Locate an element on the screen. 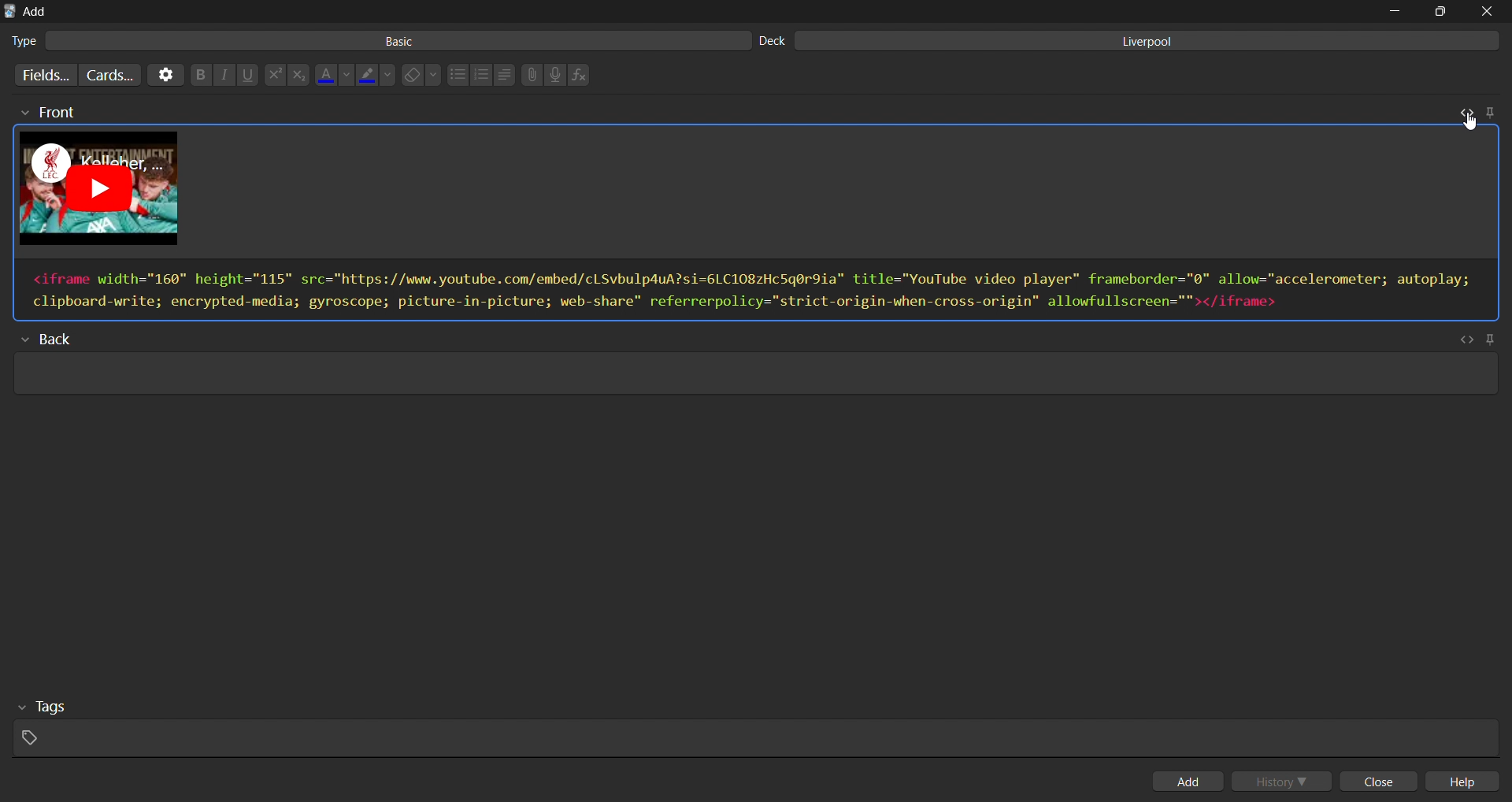 The height and width of the screenshot is (802, 1512). options is located at coordinates (164, 75).